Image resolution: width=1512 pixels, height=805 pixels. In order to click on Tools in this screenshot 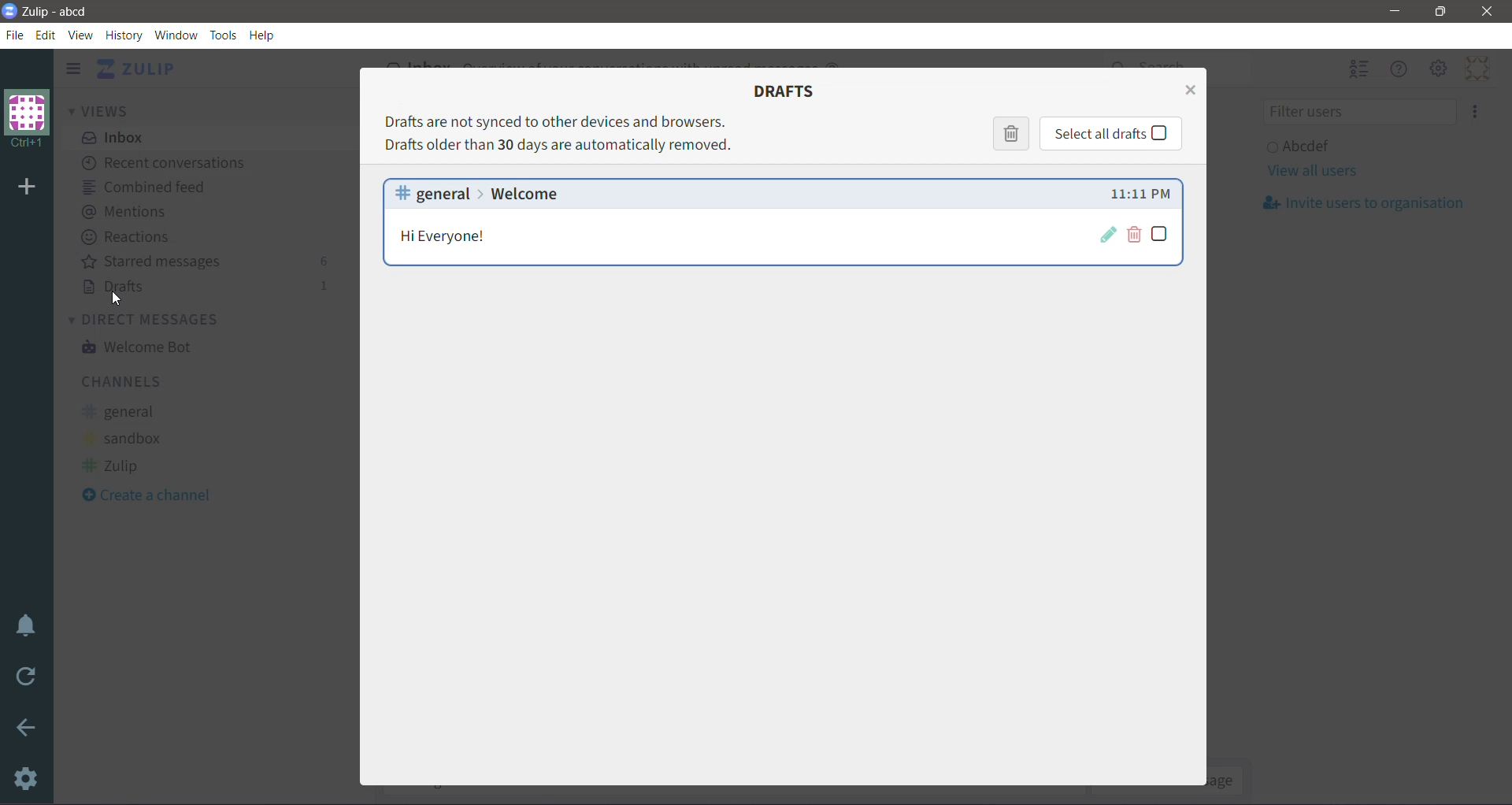, I will do `click(224, 35)`.